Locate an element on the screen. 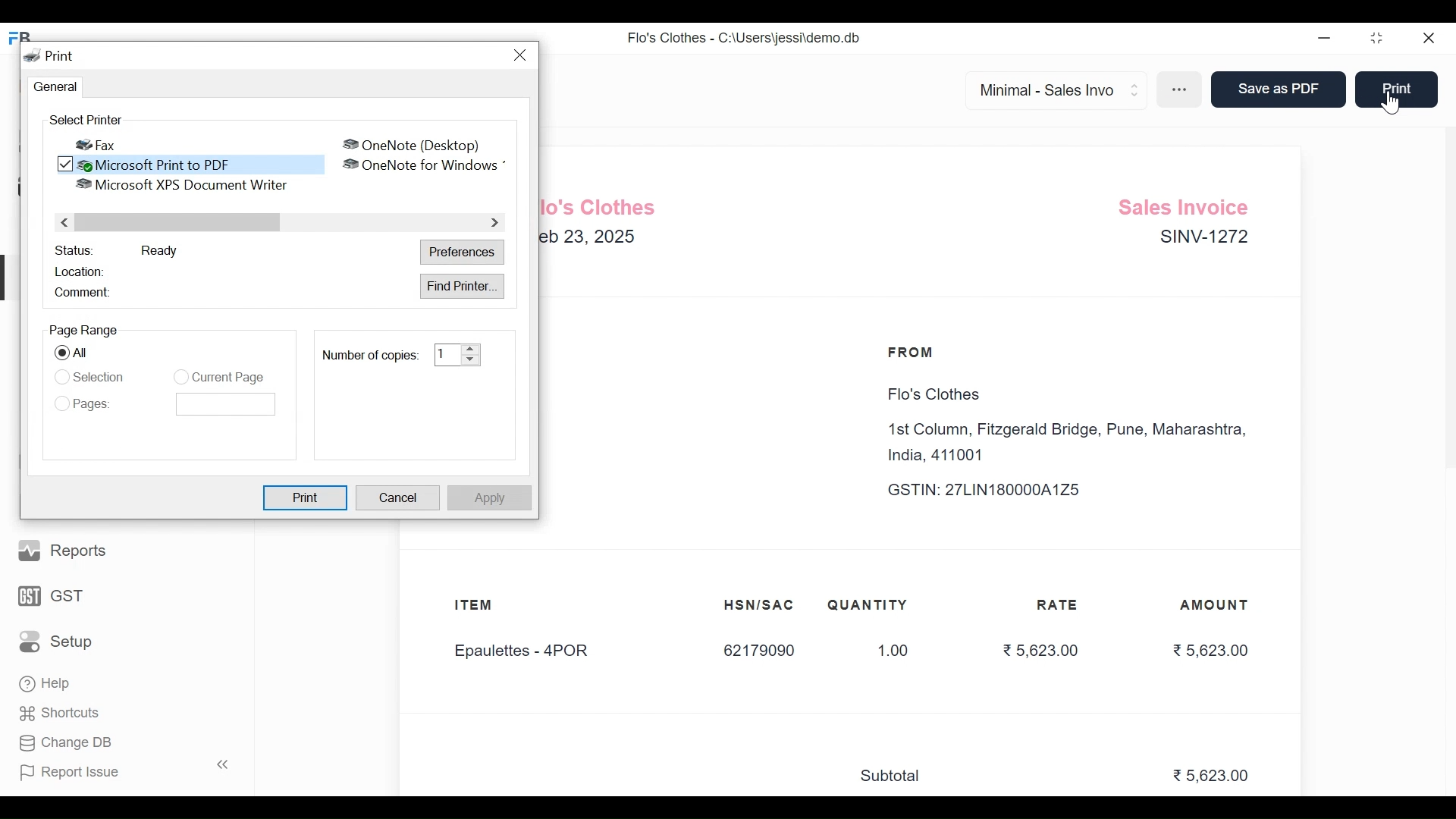 This screenshot has width=1456, height=819. 5,623.00 is located at coordinates (1210, 650).